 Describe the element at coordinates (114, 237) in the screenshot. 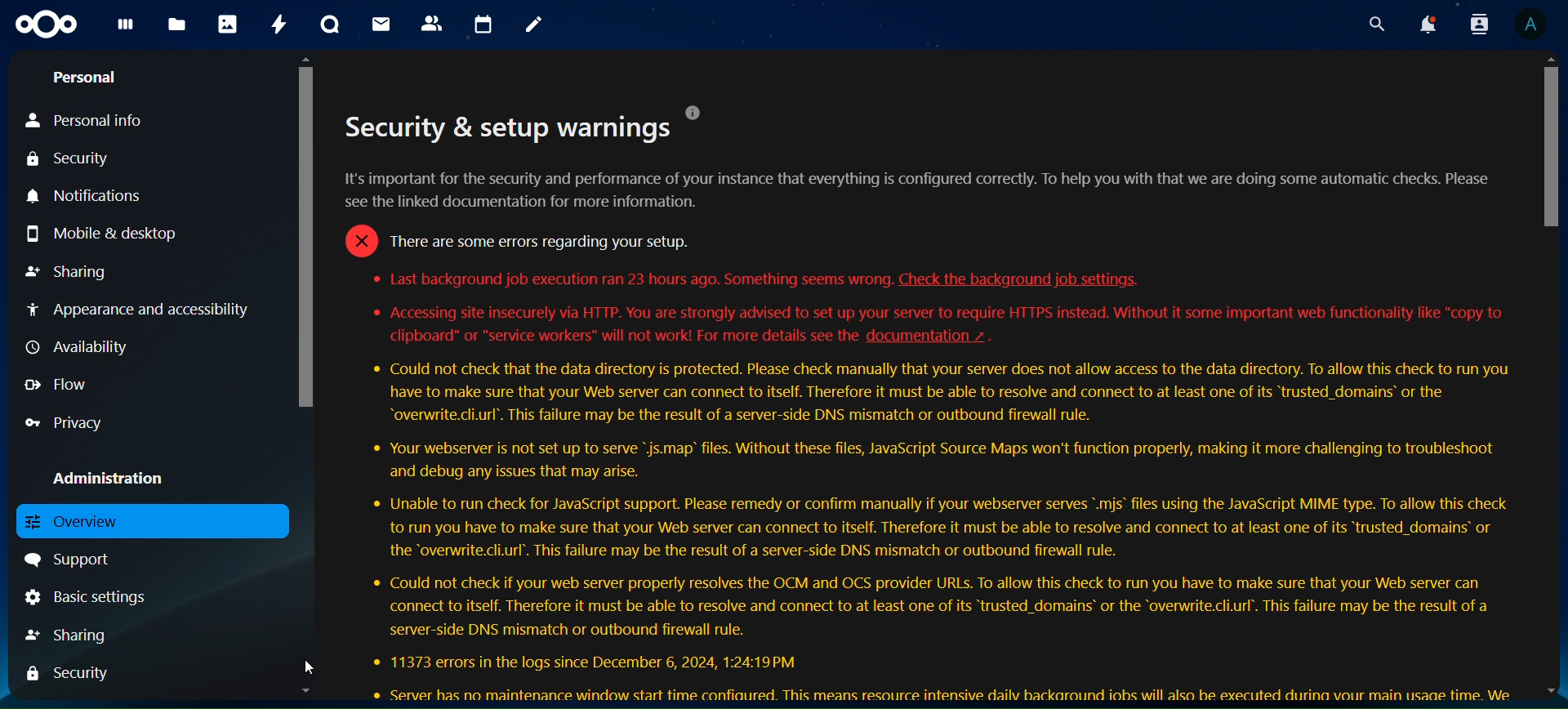

I see `mobile & desktop` at that location.